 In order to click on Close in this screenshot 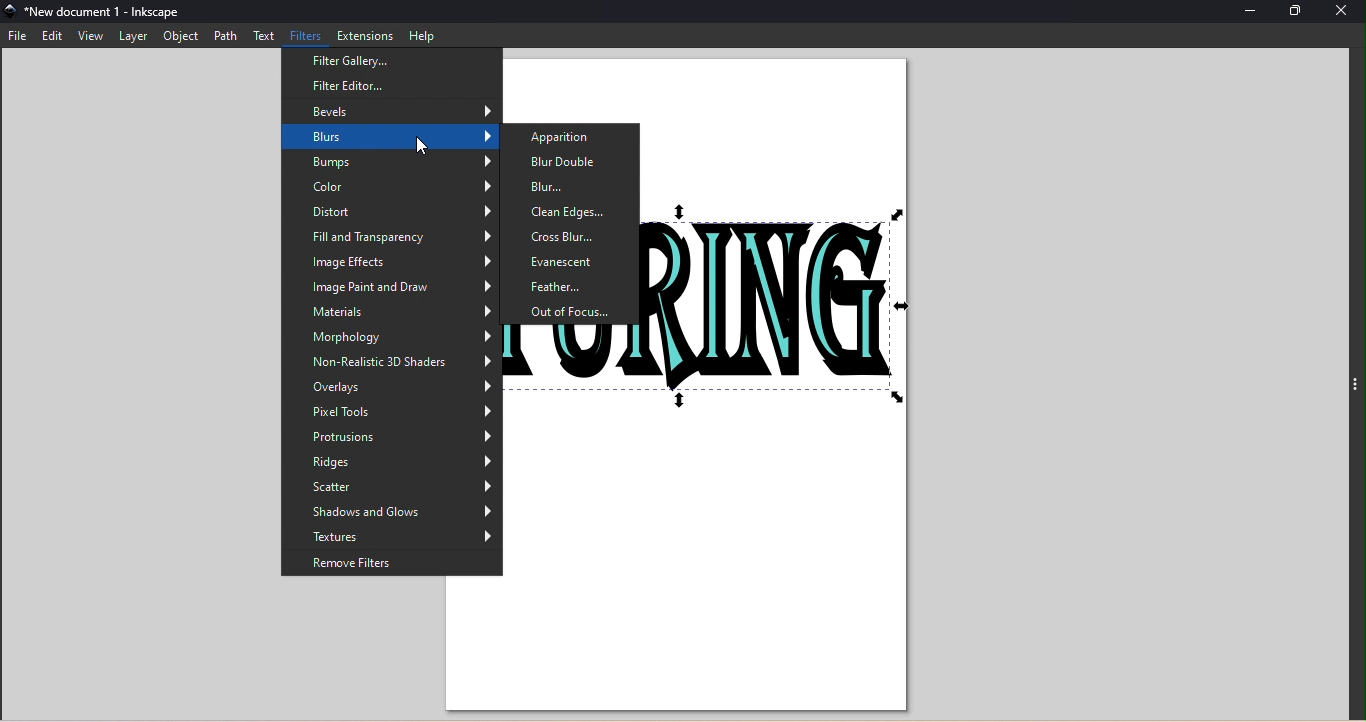, I will do `click(1343, 14)`.